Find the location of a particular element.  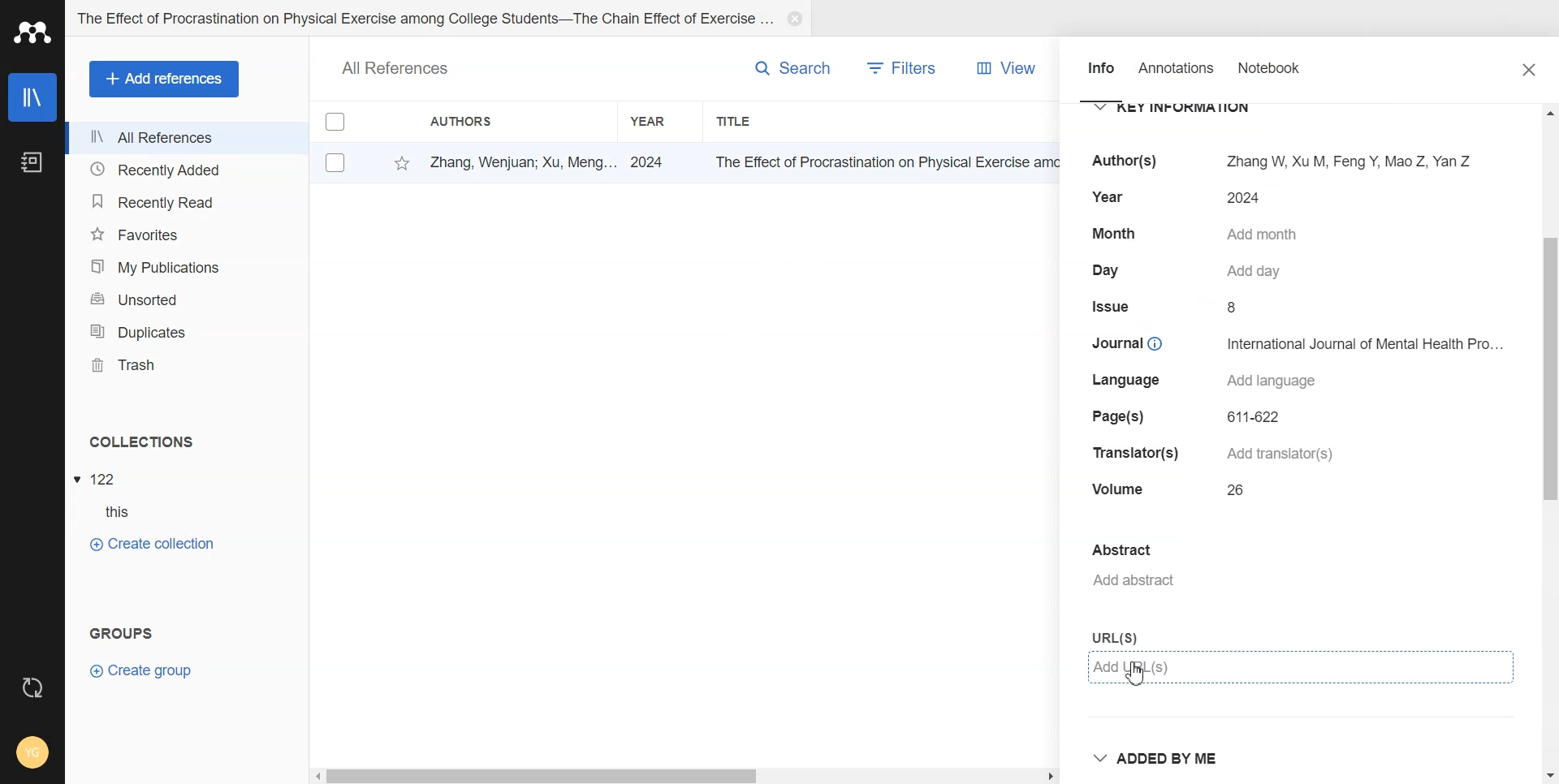

URLs is located at coordinates (1302, 658).